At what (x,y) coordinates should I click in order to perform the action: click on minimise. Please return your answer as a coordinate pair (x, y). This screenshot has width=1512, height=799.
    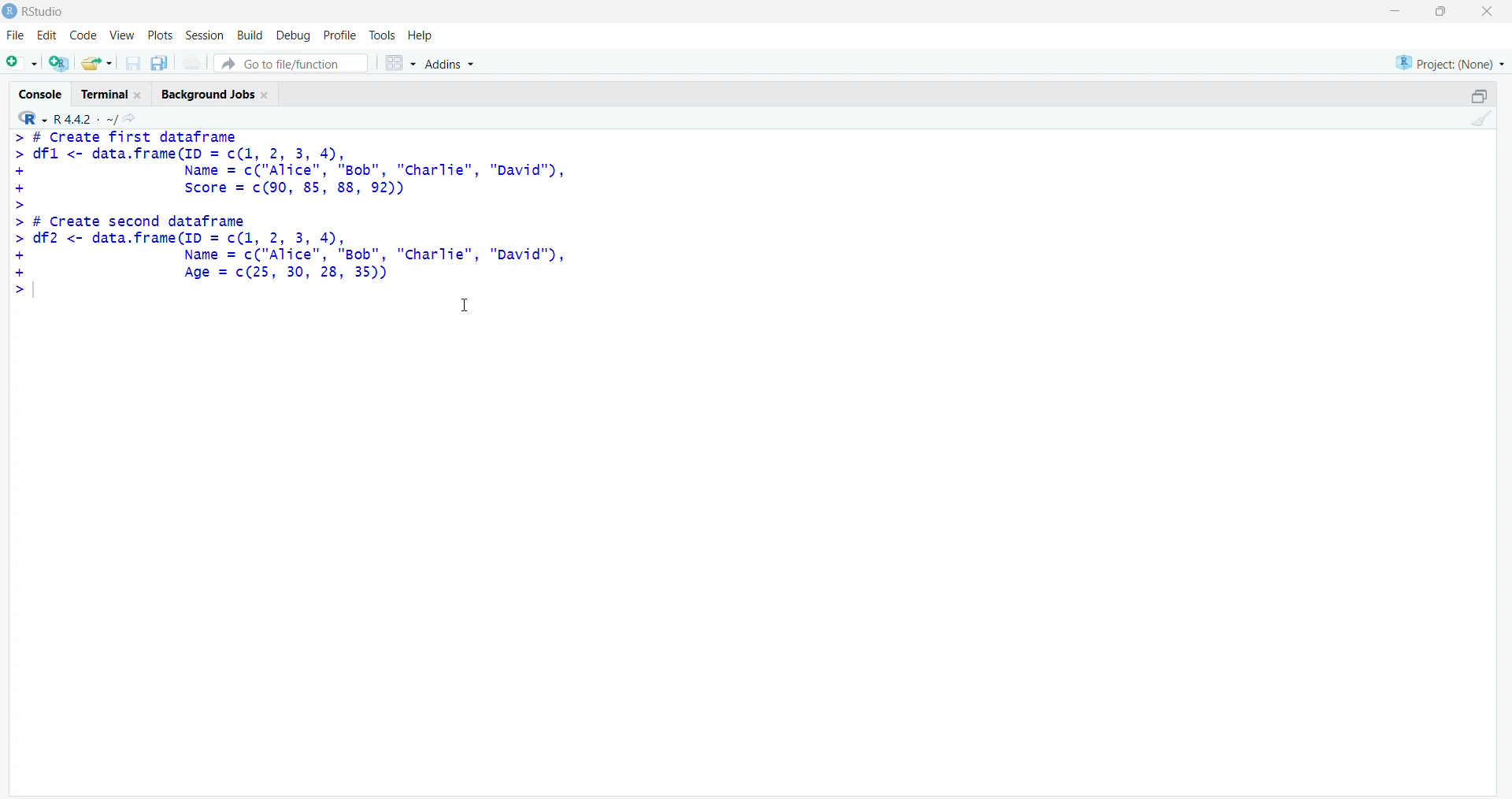
    Looking at the image, I should click on (1395, 10).